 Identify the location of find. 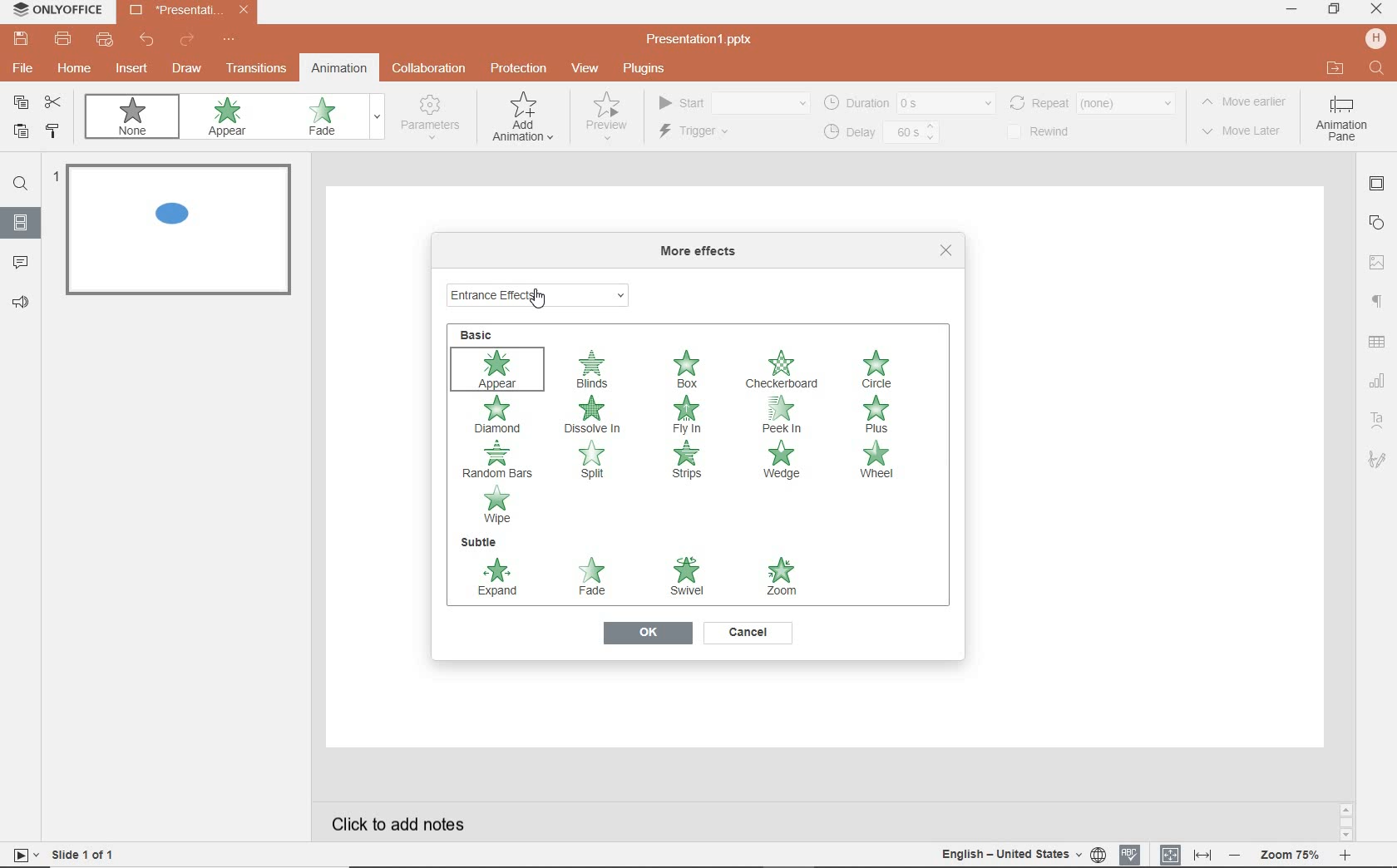
(1375, 67).